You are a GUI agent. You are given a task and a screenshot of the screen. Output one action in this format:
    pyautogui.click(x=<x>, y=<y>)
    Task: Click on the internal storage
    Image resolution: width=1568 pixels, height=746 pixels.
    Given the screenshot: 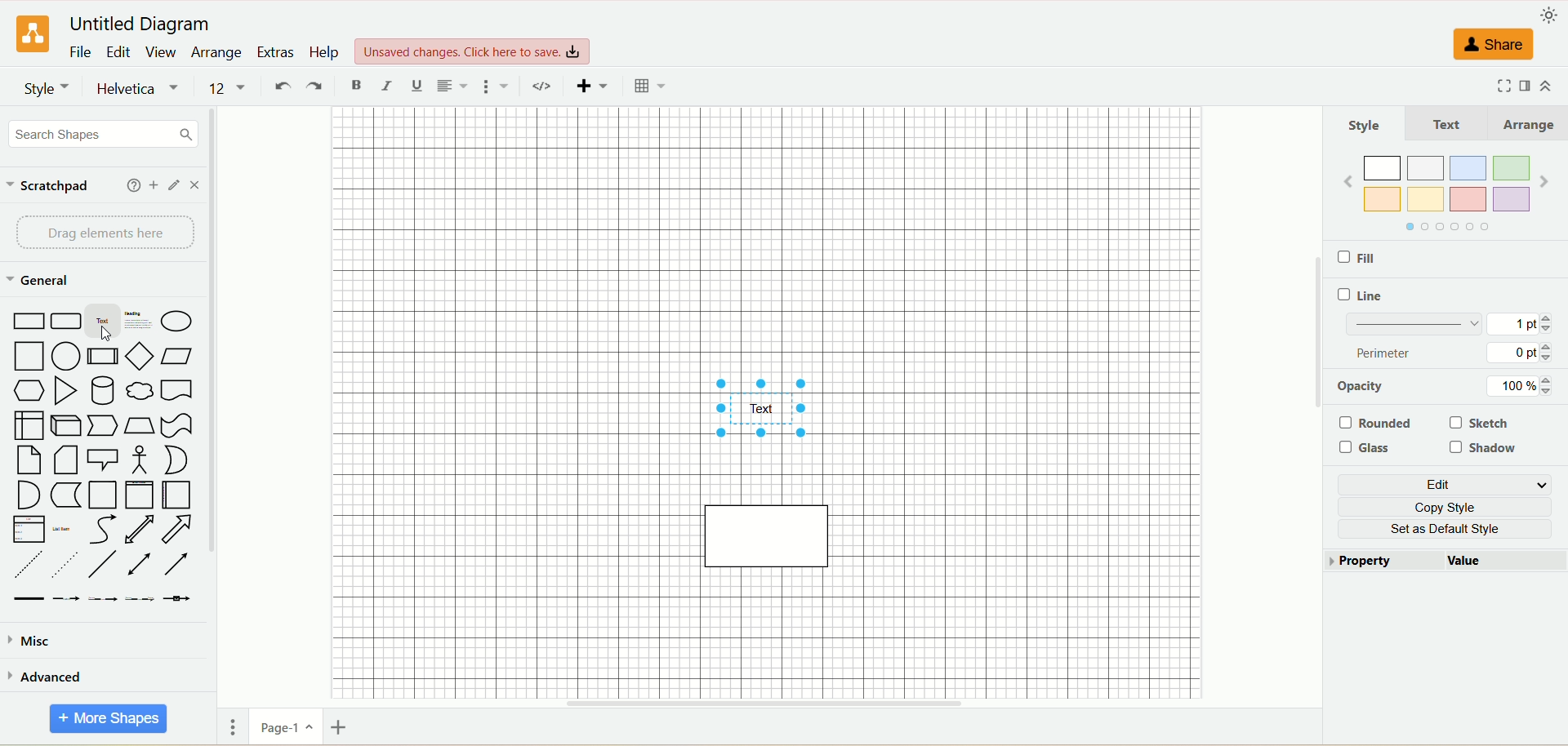 What is the action you would take?
    pyautogui.click(x=28, y=424)
    